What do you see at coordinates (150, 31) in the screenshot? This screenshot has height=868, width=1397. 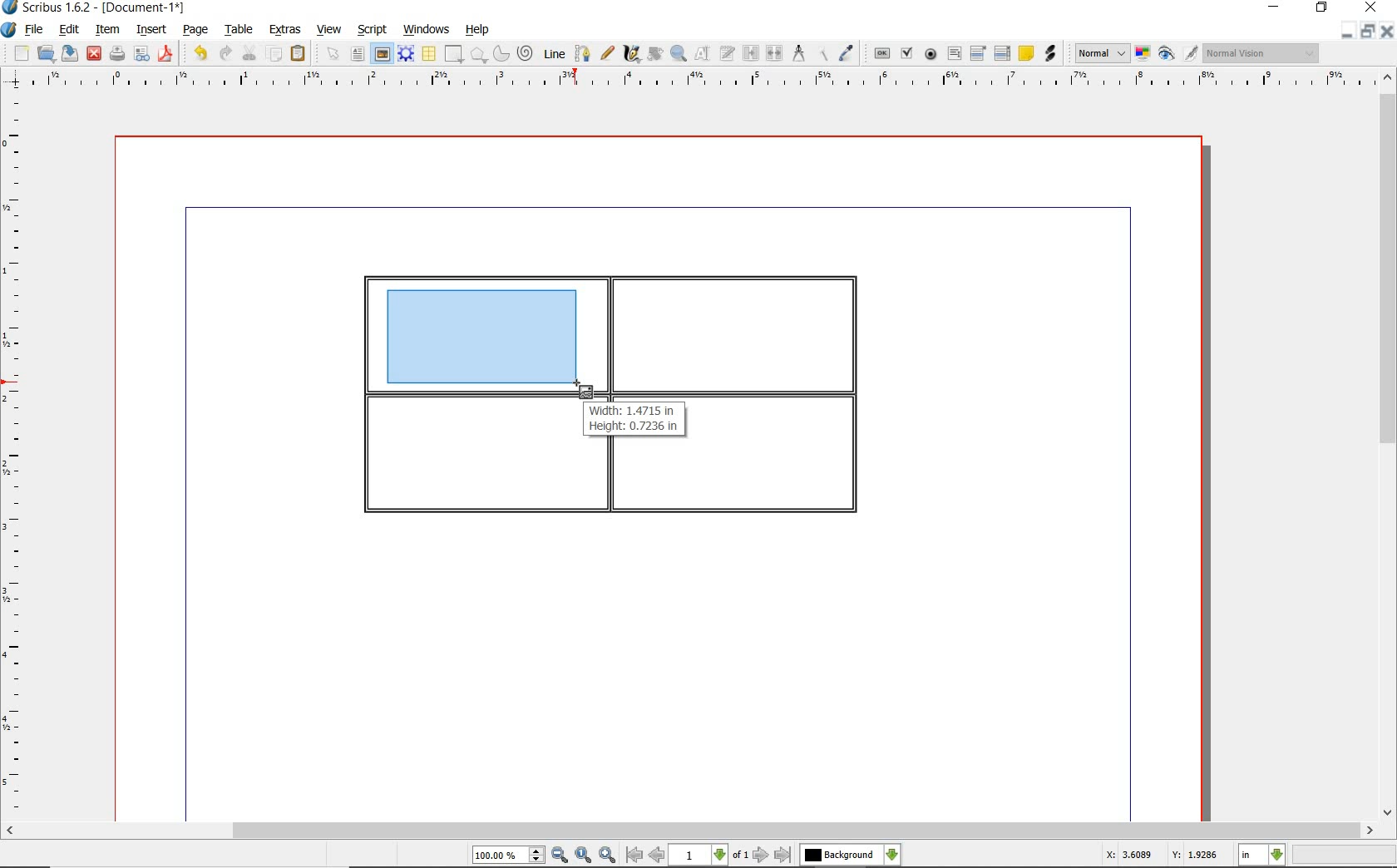 I see `insert` at bounding box center [150, 31].